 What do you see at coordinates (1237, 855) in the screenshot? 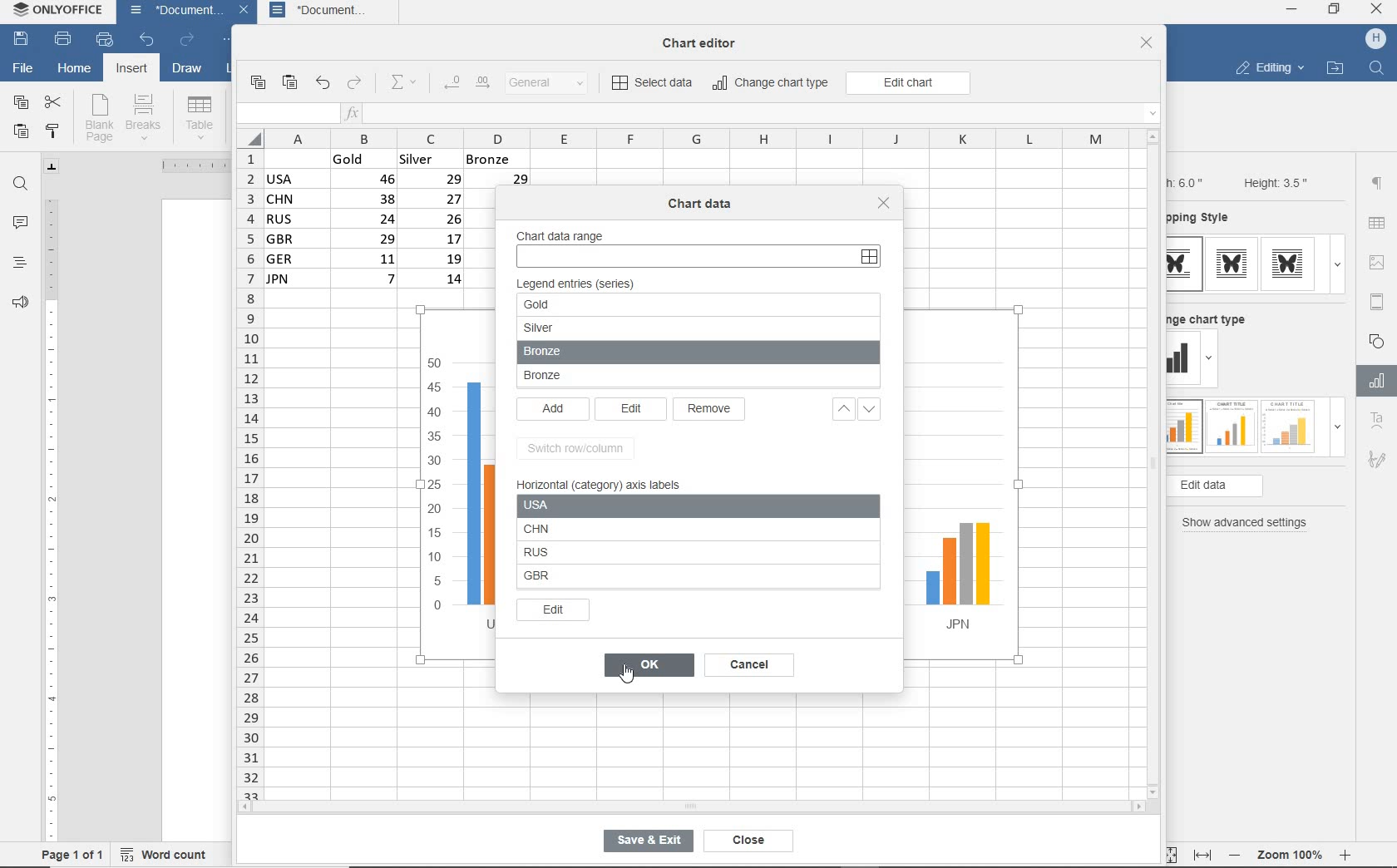
I see `zoom out` at bounding box center [1237, 855].